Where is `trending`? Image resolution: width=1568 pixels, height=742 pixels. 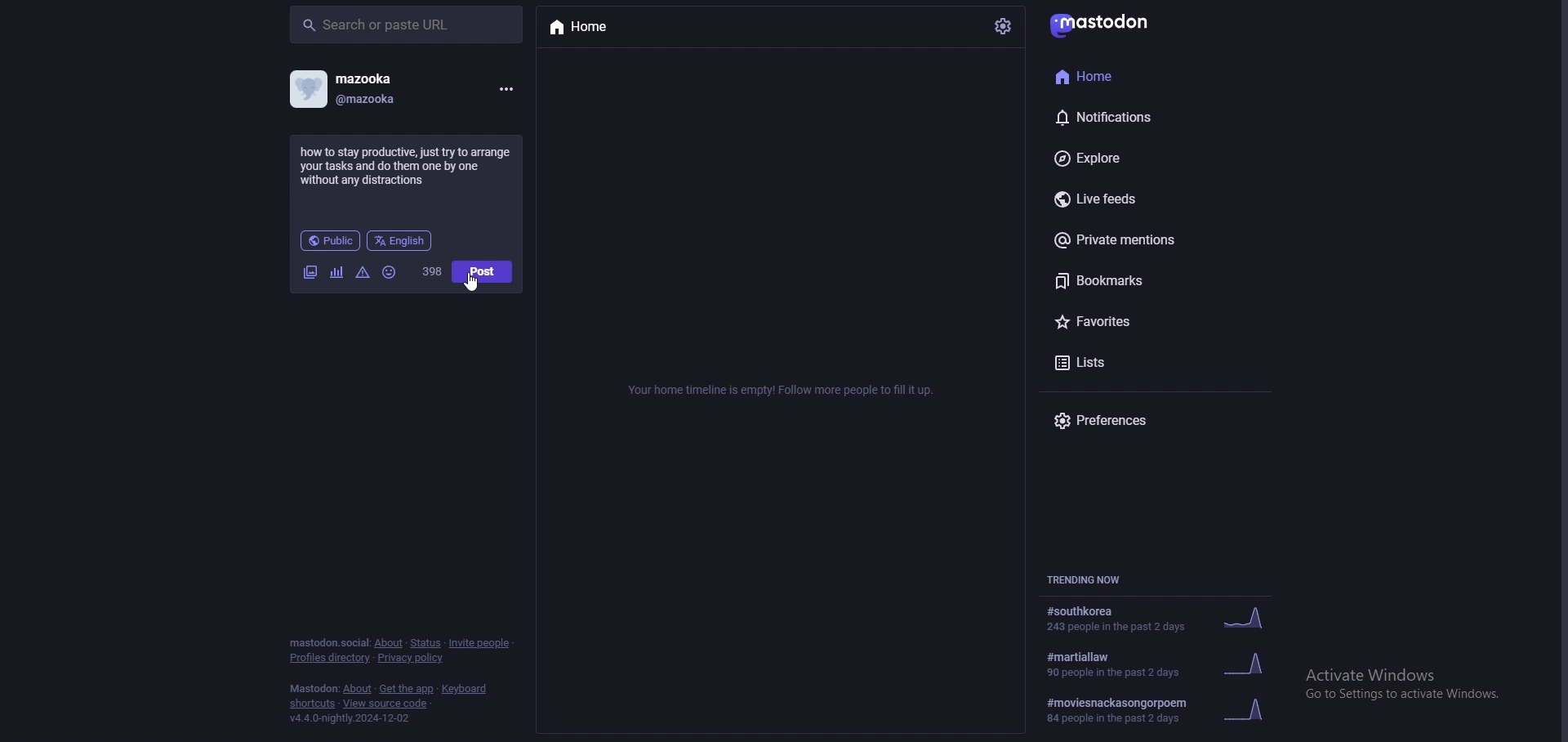
trending is located at coordinates (1173, 708).